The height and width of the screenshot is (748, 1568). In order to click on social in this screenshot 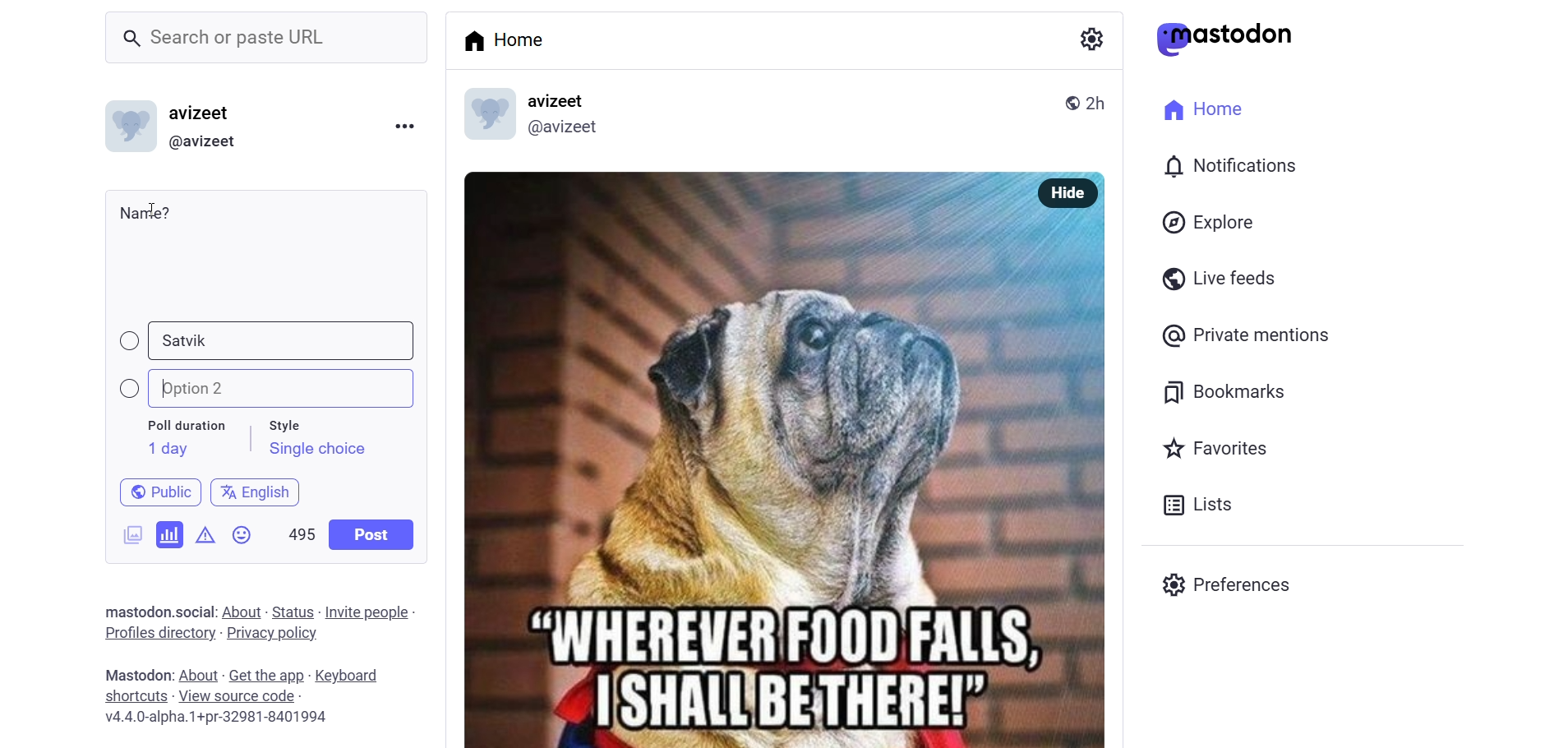, I will do `click(192, 612)`.